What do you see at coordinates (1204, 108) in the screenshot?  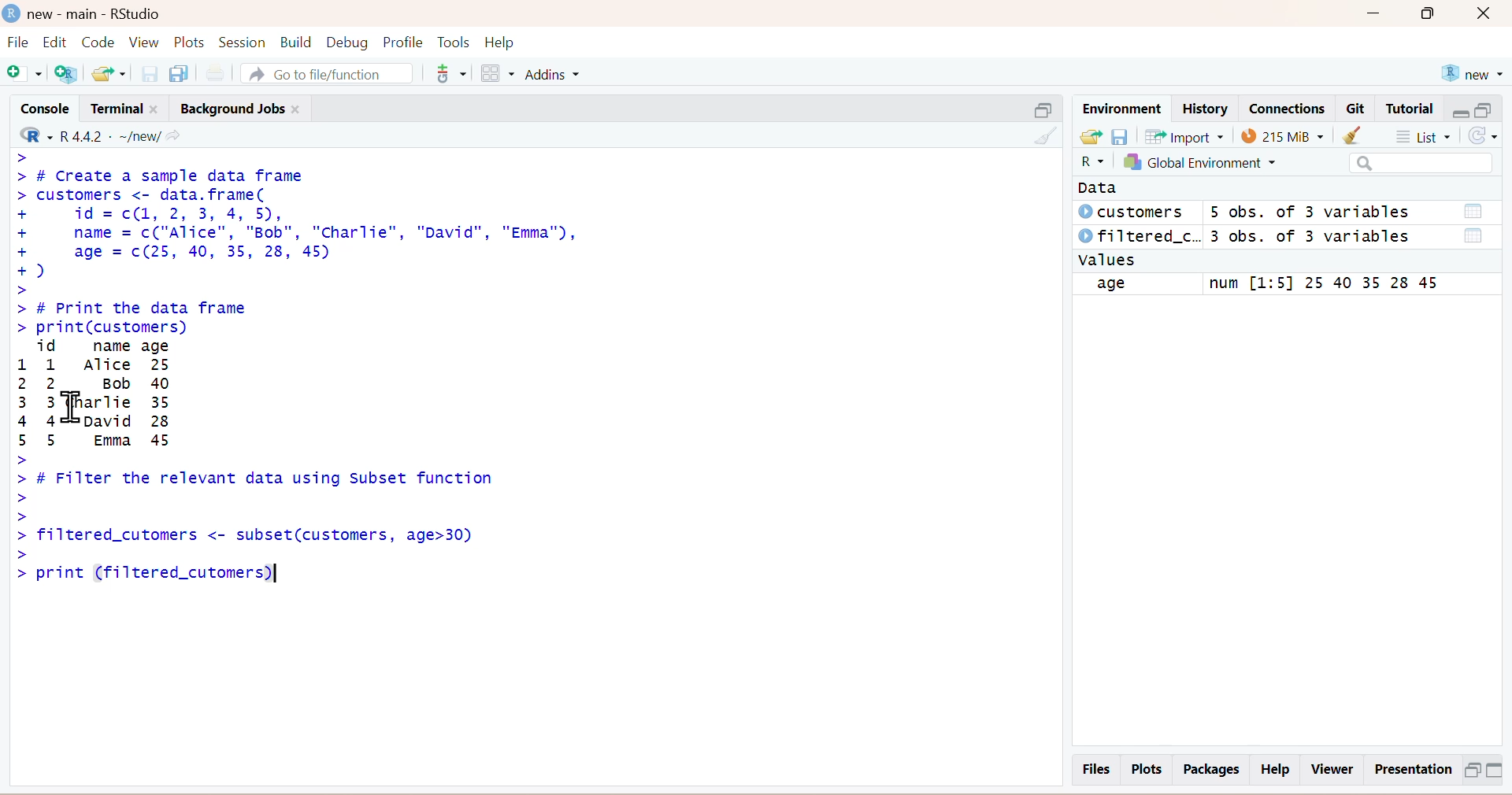 I see `History` at bounding box center [1204, 108].